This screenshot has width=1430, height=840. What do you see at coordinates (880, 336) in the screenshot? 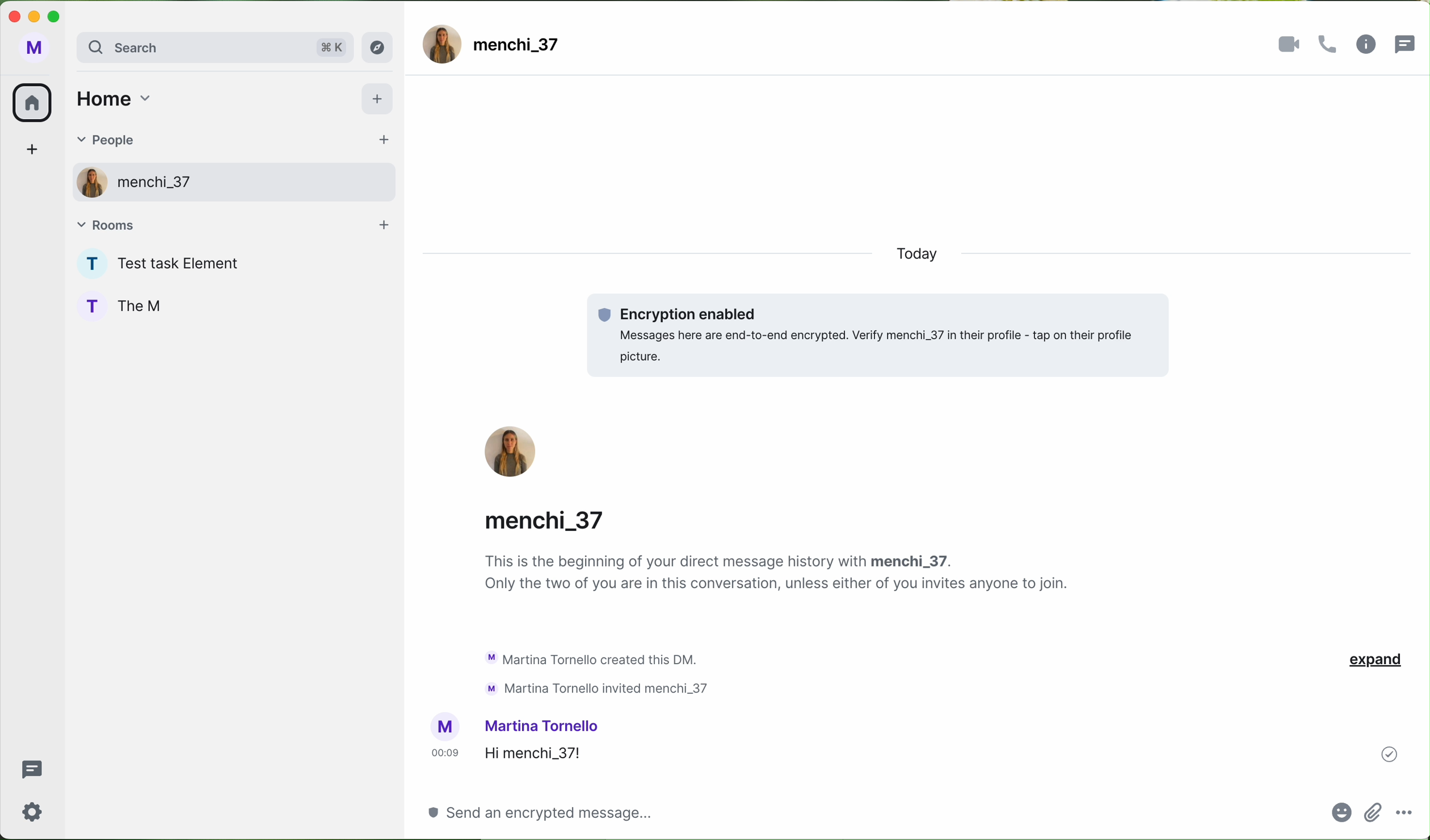
I see `encryption enabled` at bounding box center [880, 336].